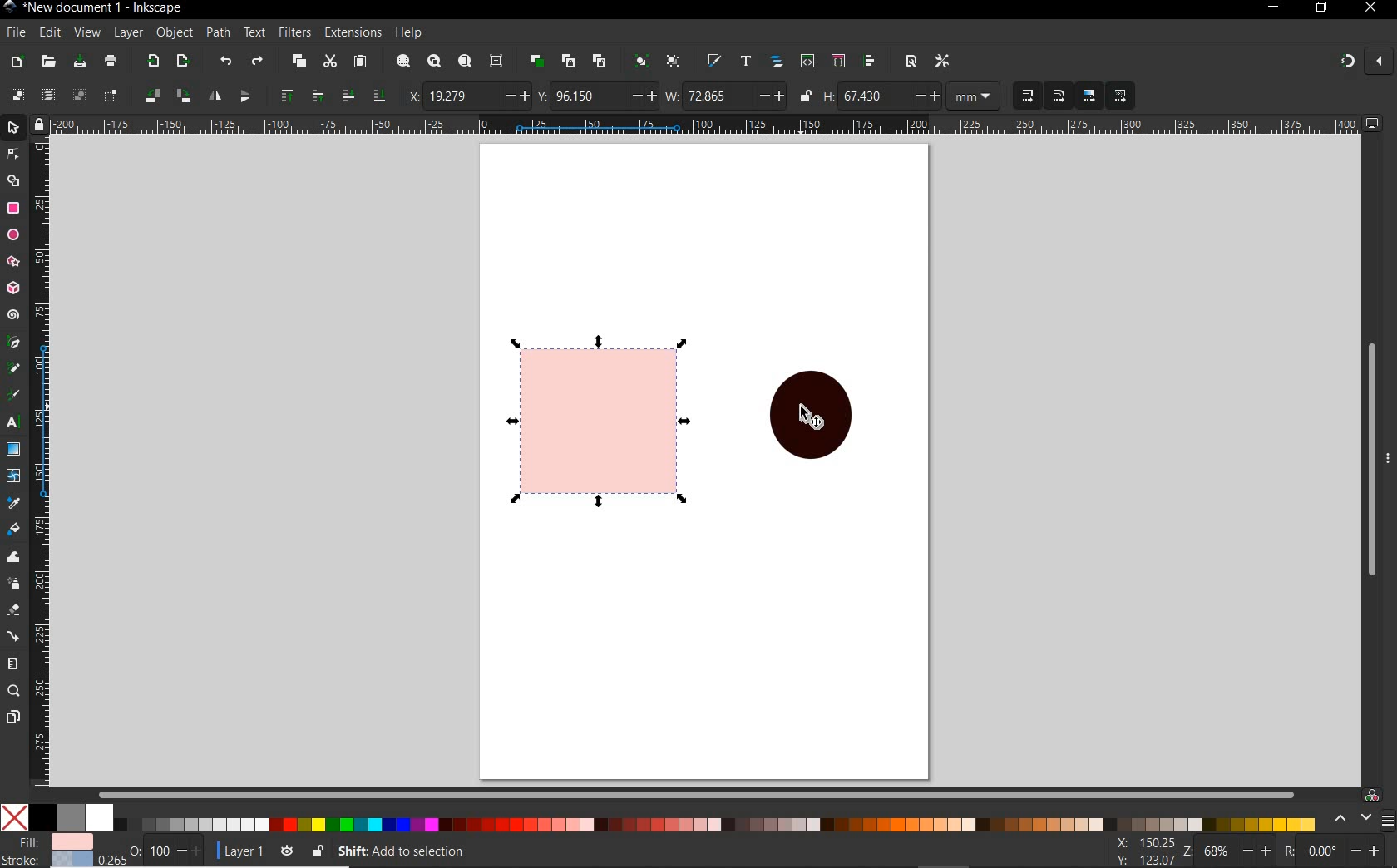 The width and height of the screenshot is (1397, 868). What do you see at coordinates (1236, 853) in the screenshot?
I see `zoom` at bounding box center [1236, 853].